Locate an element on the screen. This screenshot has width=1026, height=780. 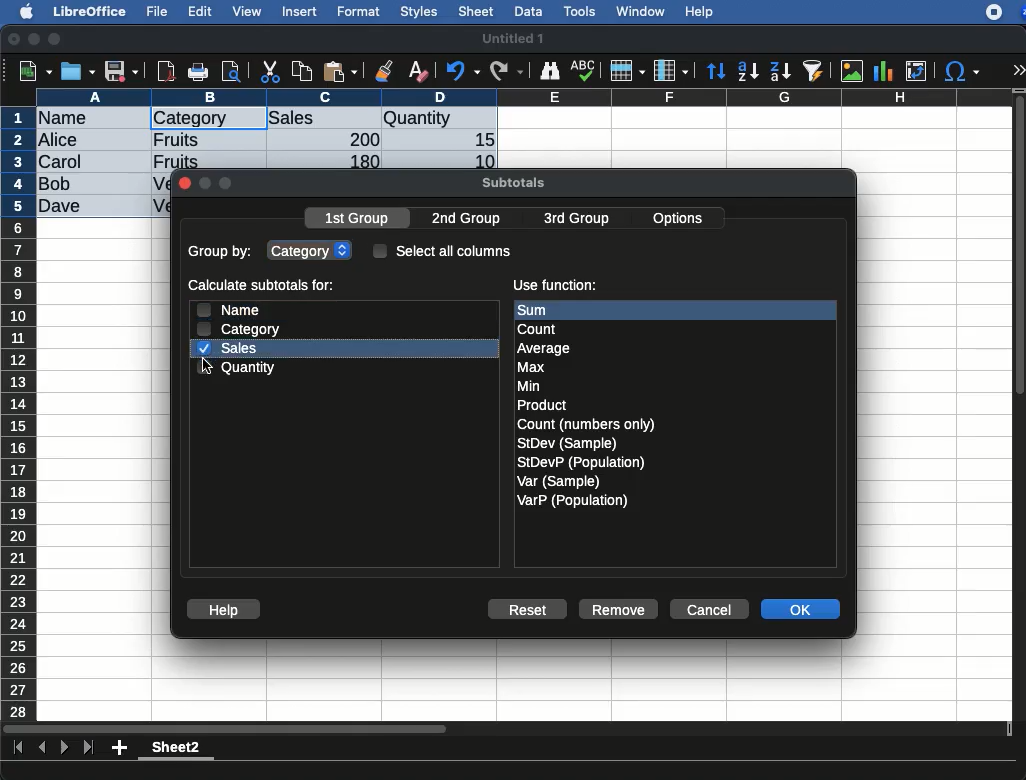
name is located at coordinates (68, 119).